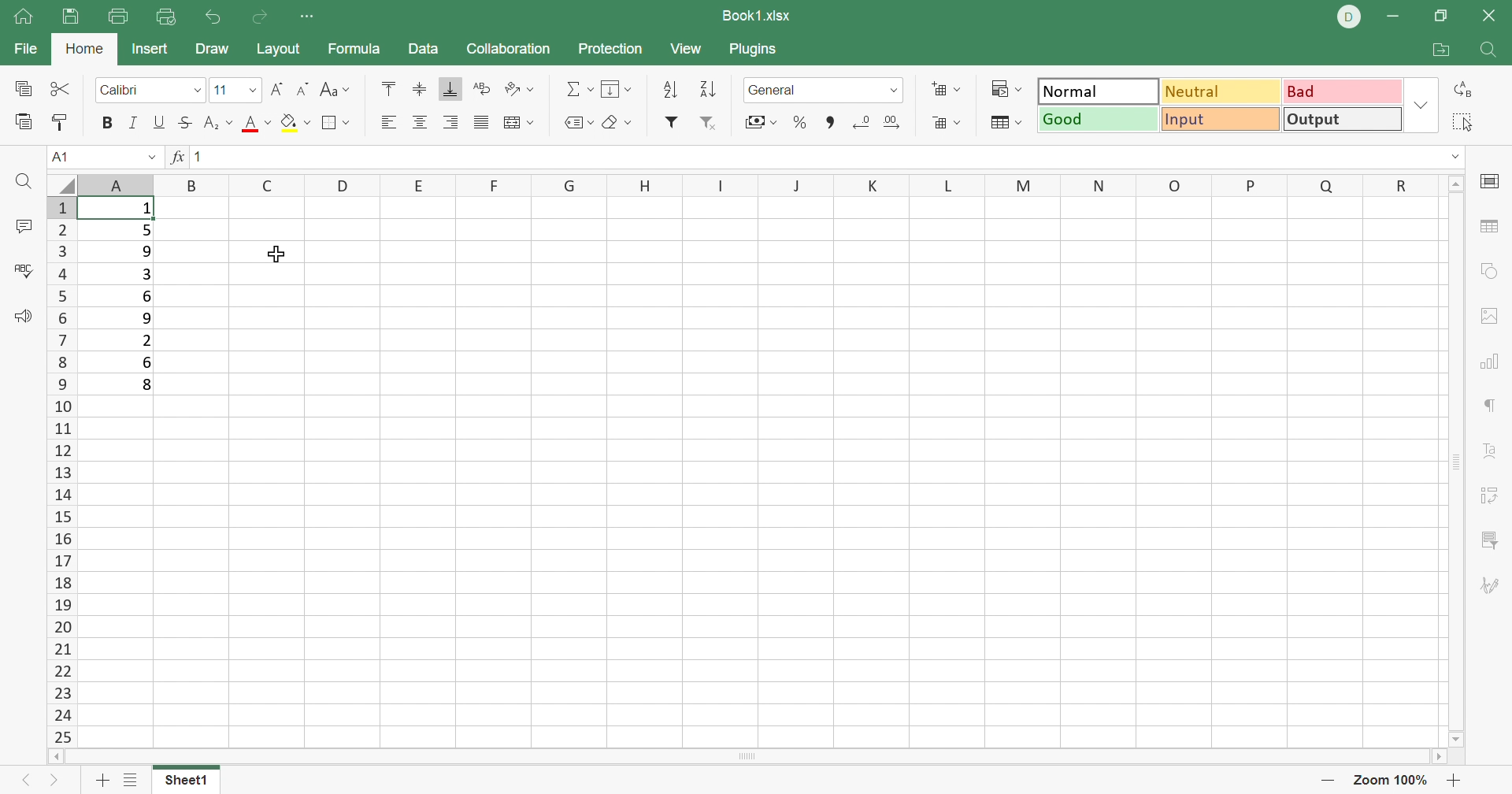 Image resolution: width=1512 pixels, height=794 pixels. What do you see at coordinates (388, 91) in the screenshot?
I see `Align Top` at bounding box center [388, 91].